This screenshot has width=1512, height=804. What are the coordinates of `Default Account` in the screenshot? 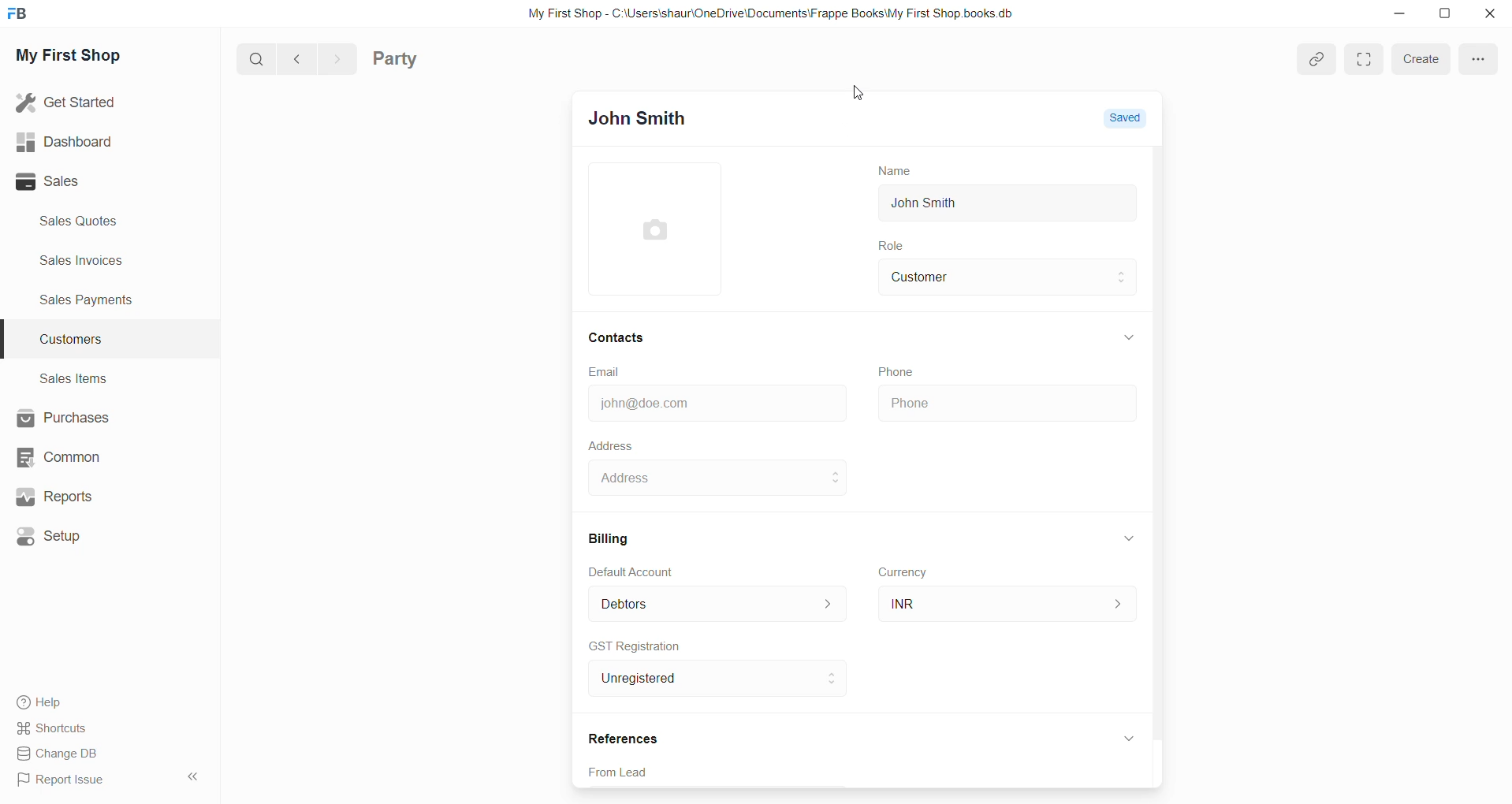 It's located at (643, 570).